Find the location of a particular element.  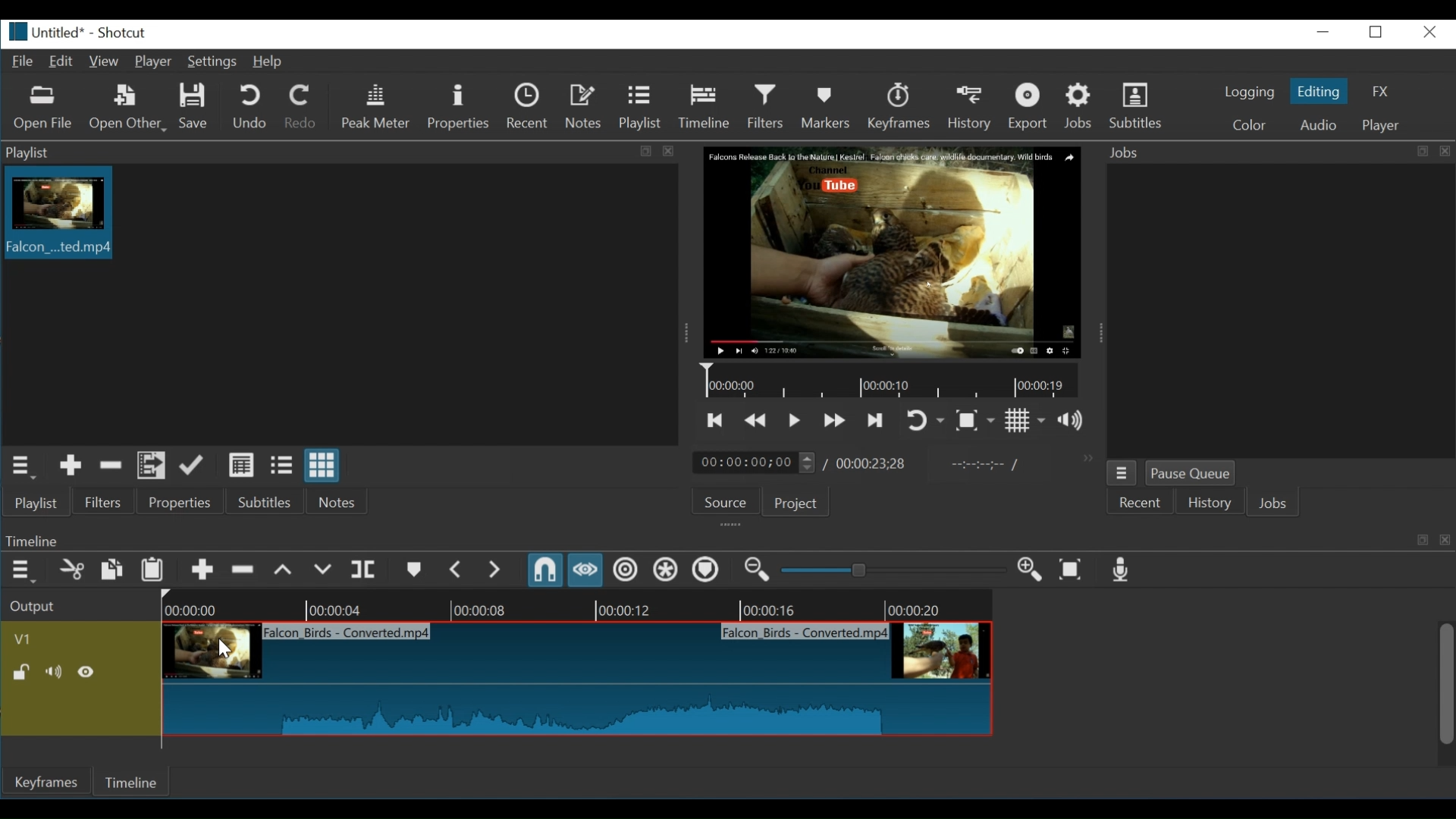

Keyframe Panel is located at coordinates (724, 540).